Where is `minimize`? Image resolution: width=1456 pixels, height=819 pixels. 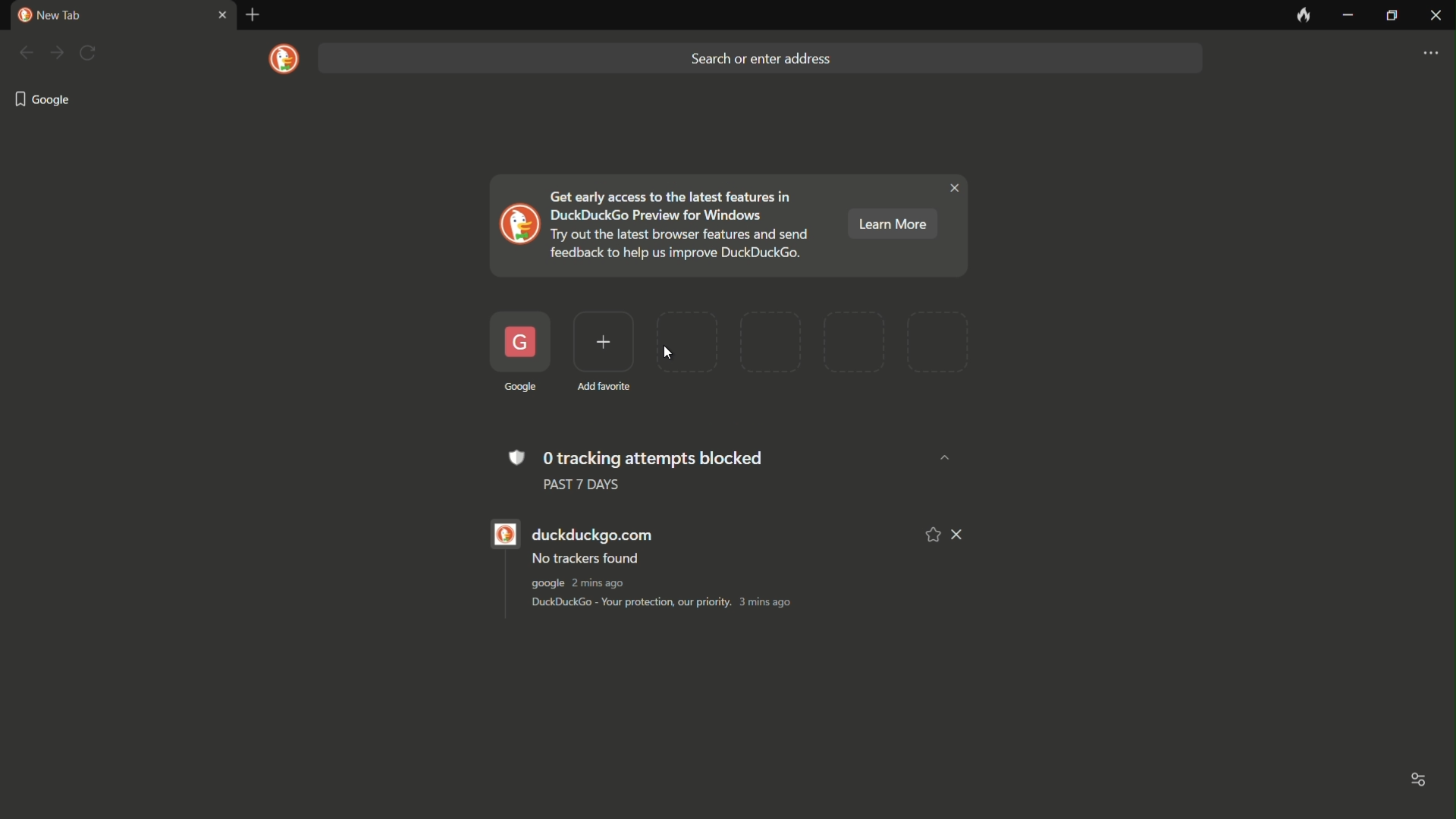
minimize is located at coordinates (1348, 16).